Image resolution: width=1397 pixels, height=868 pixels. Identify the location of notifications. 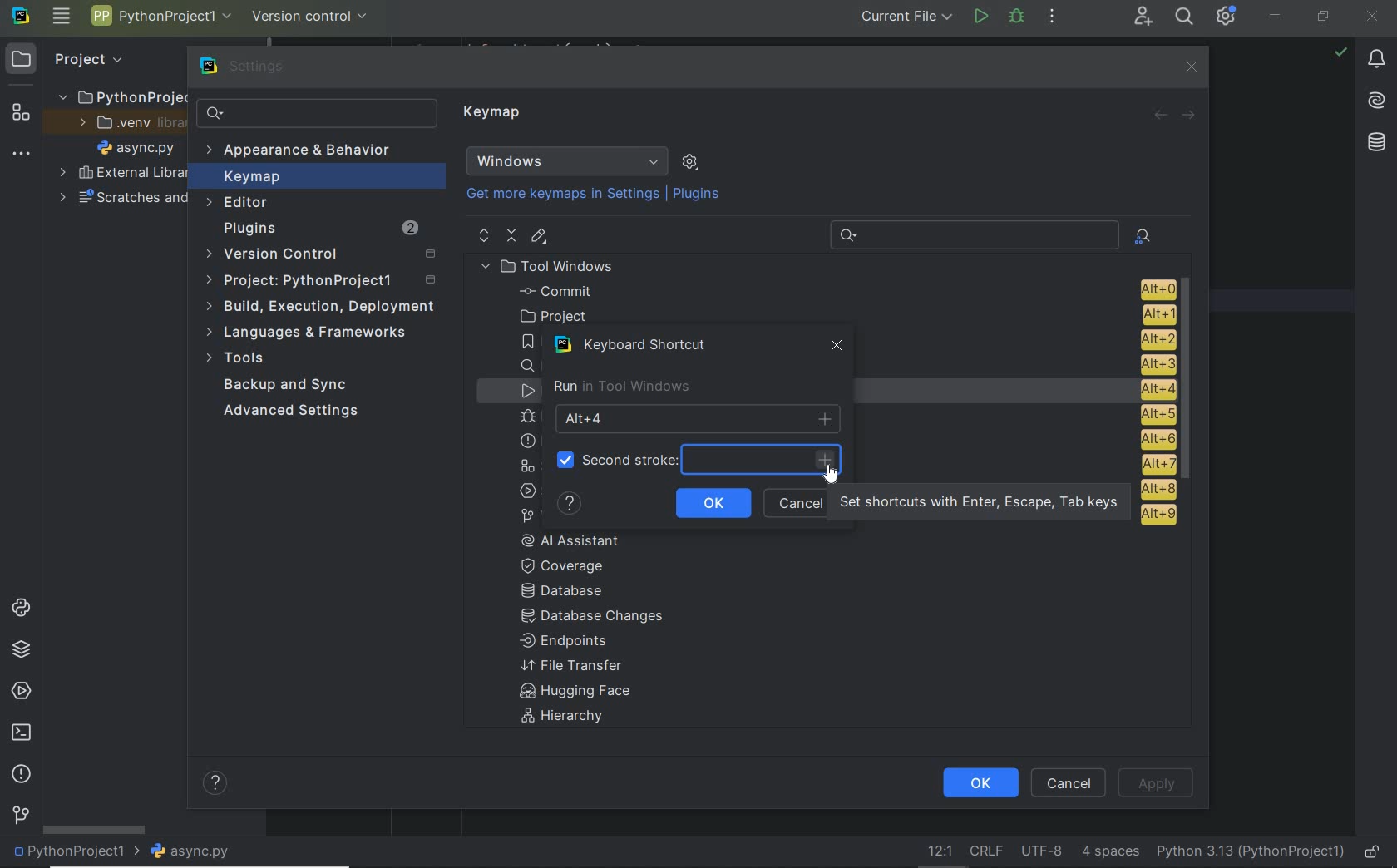
(1377, 60).